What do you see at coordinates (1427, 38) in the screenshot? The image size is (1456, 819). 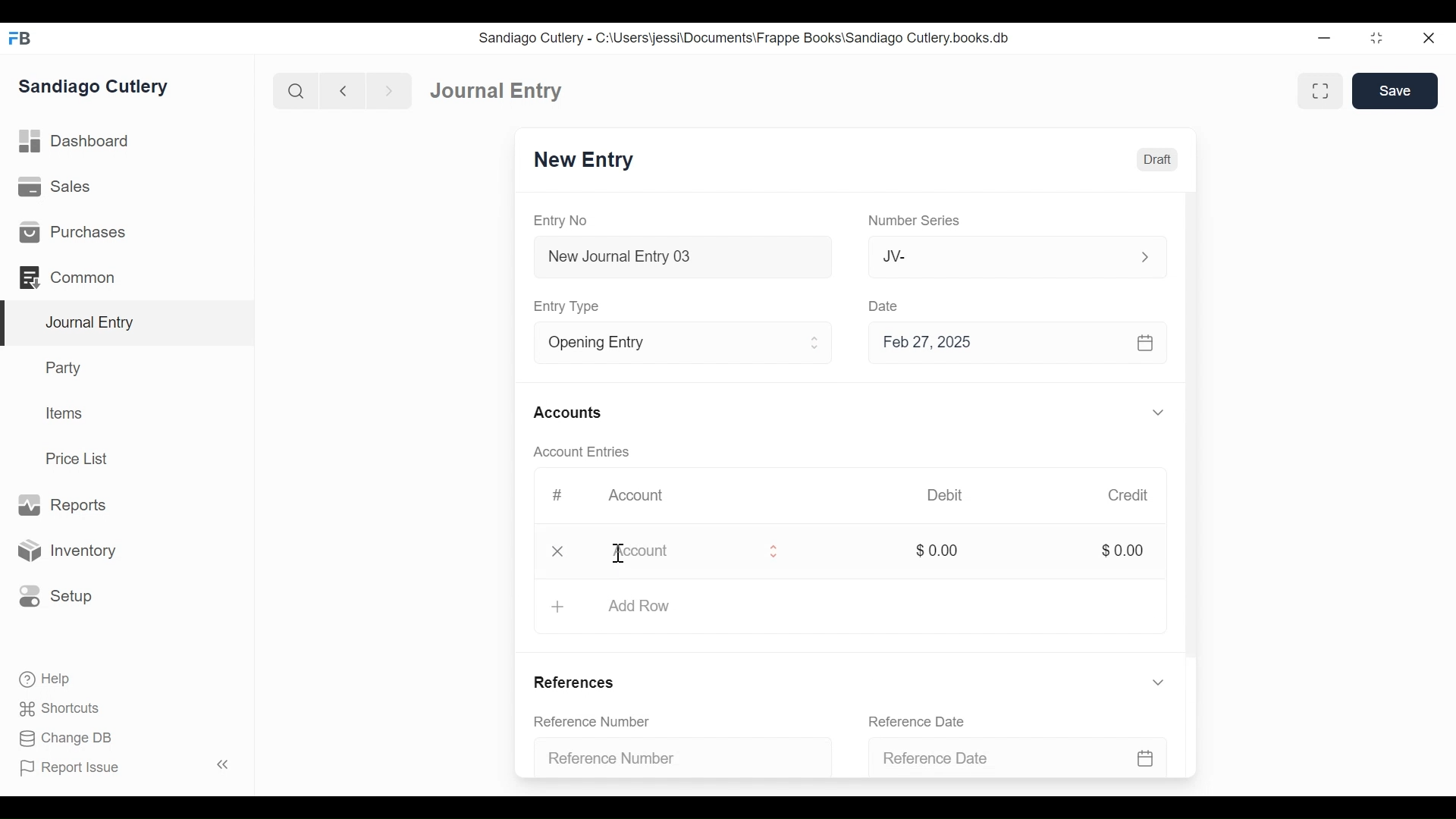 I see `Close` at bounding box center [1427, 38].